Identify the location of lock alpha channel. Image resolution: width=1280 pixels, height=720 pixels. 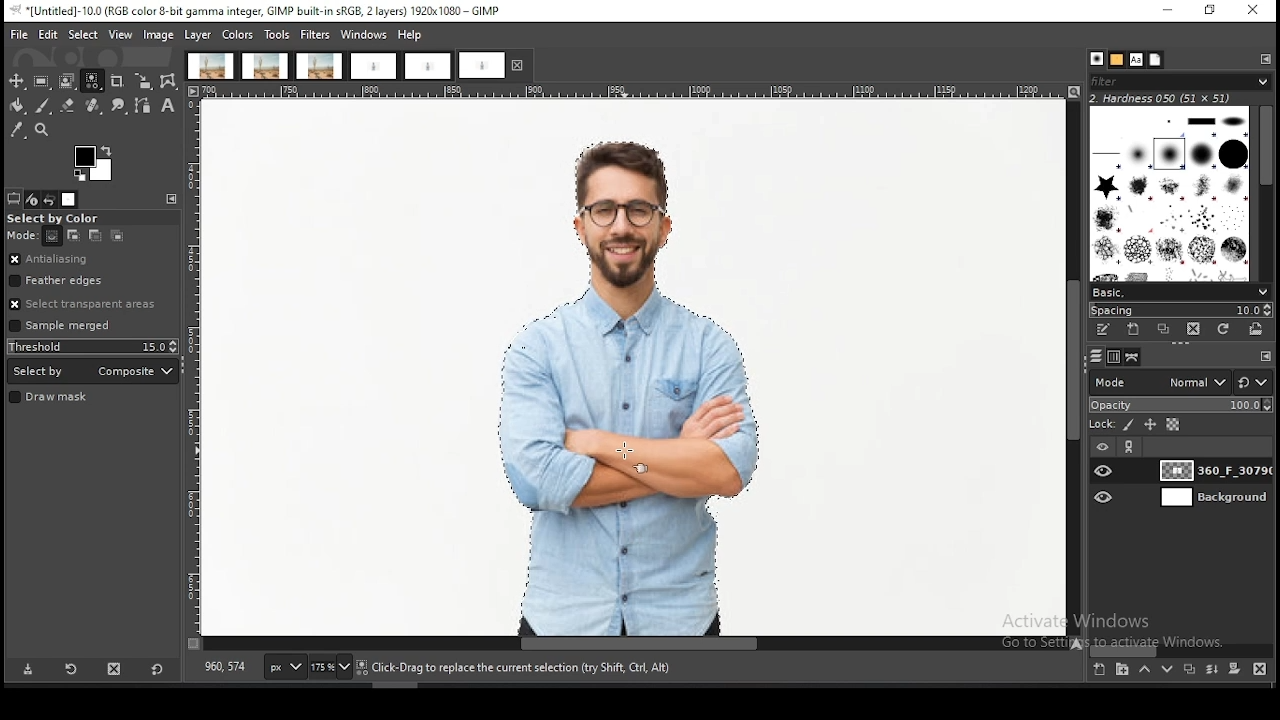
(1173, 425).